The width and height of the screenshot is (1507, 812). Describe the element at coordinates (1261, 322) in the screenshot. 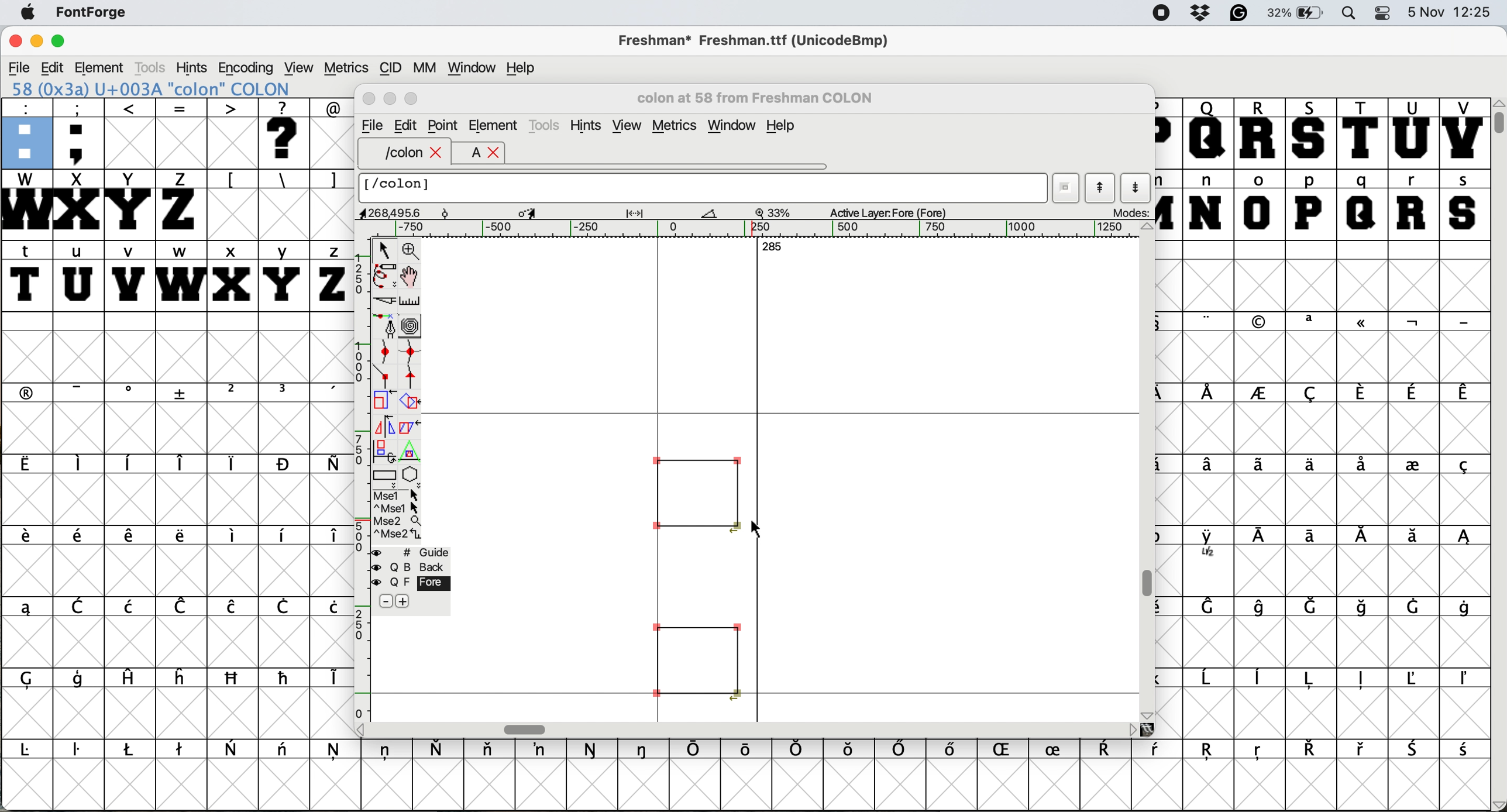

I see `symbol` at that location.